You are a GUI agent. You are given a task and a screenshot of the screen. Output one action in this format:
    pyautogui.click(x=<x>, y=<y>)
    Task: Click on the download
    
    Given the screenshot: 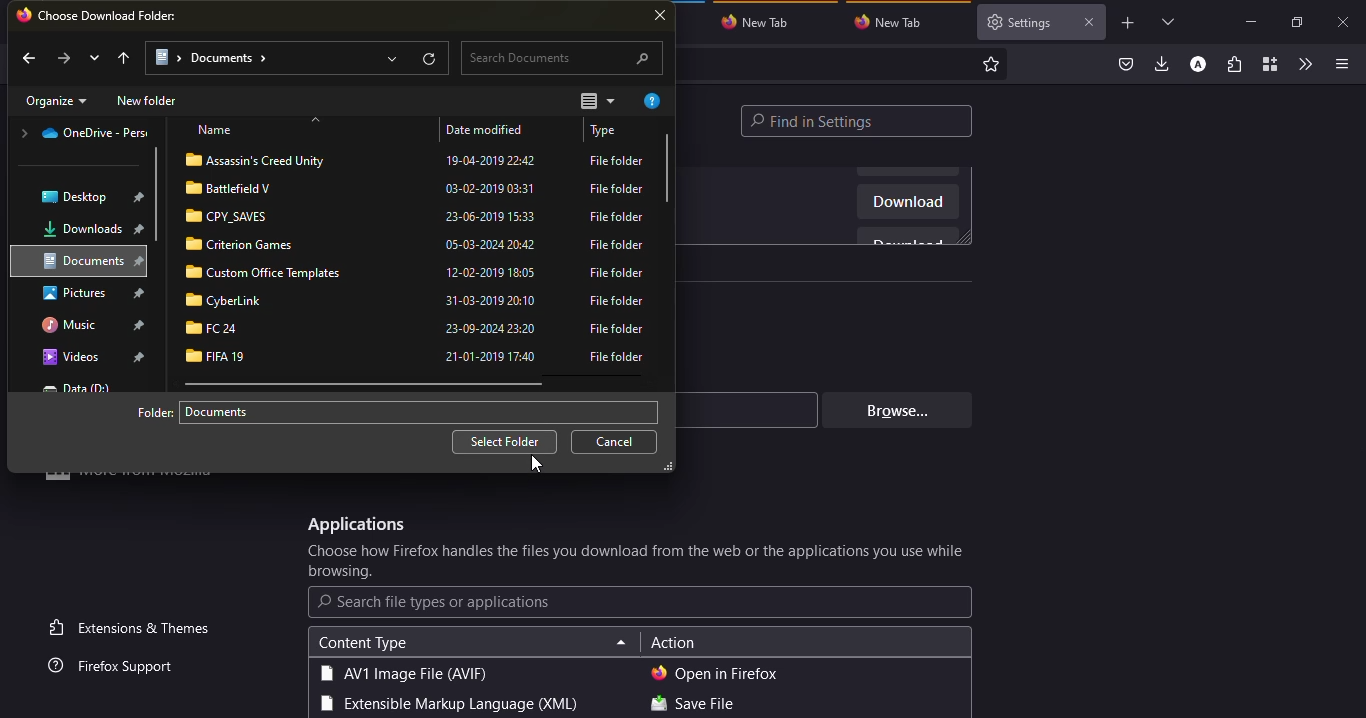 What is the action you would take?
    pyautogui.click(x=908, y=204)
    